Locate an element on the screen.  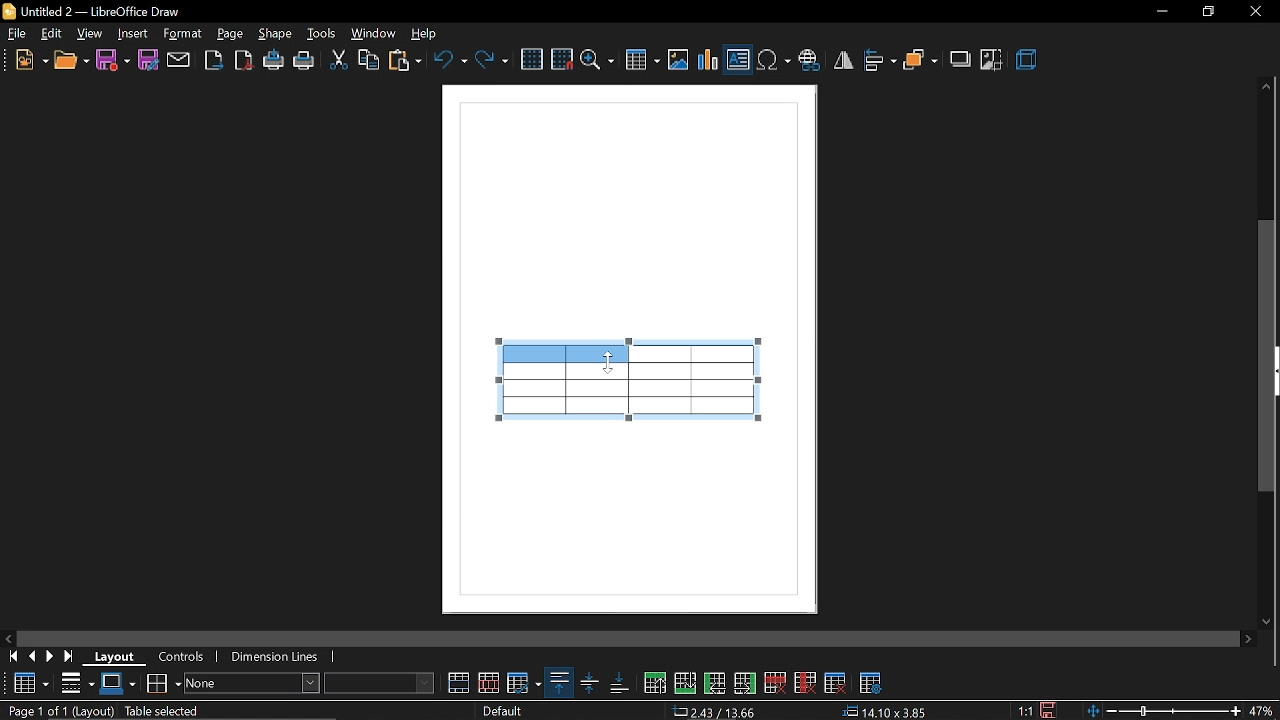
move left is located at coordinates (8, 637).